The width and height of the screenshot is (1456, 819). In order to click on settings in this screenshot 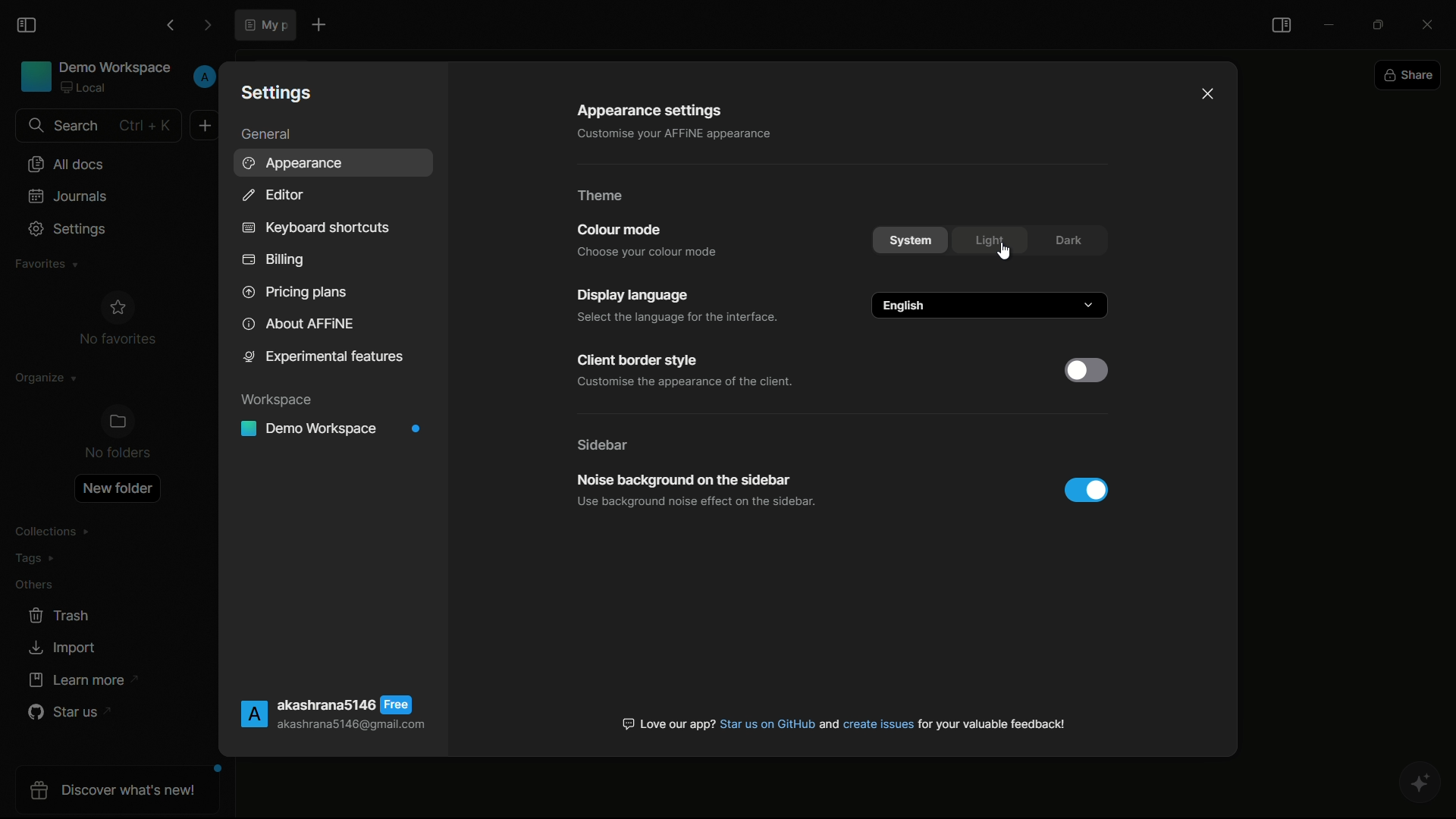, I will do `click(70, 229)`.